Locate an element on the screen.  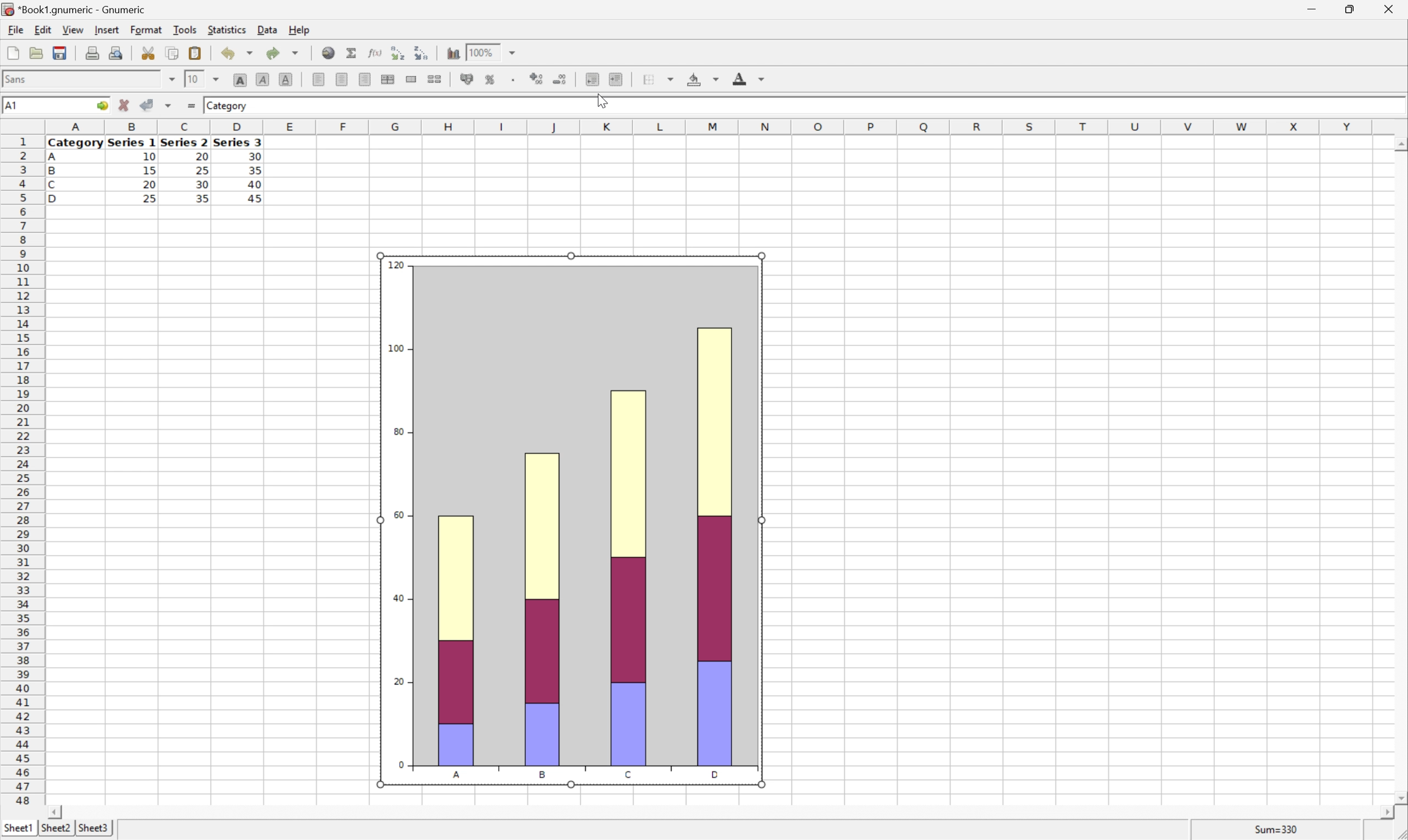
30 is located at coordinates (254, 156).